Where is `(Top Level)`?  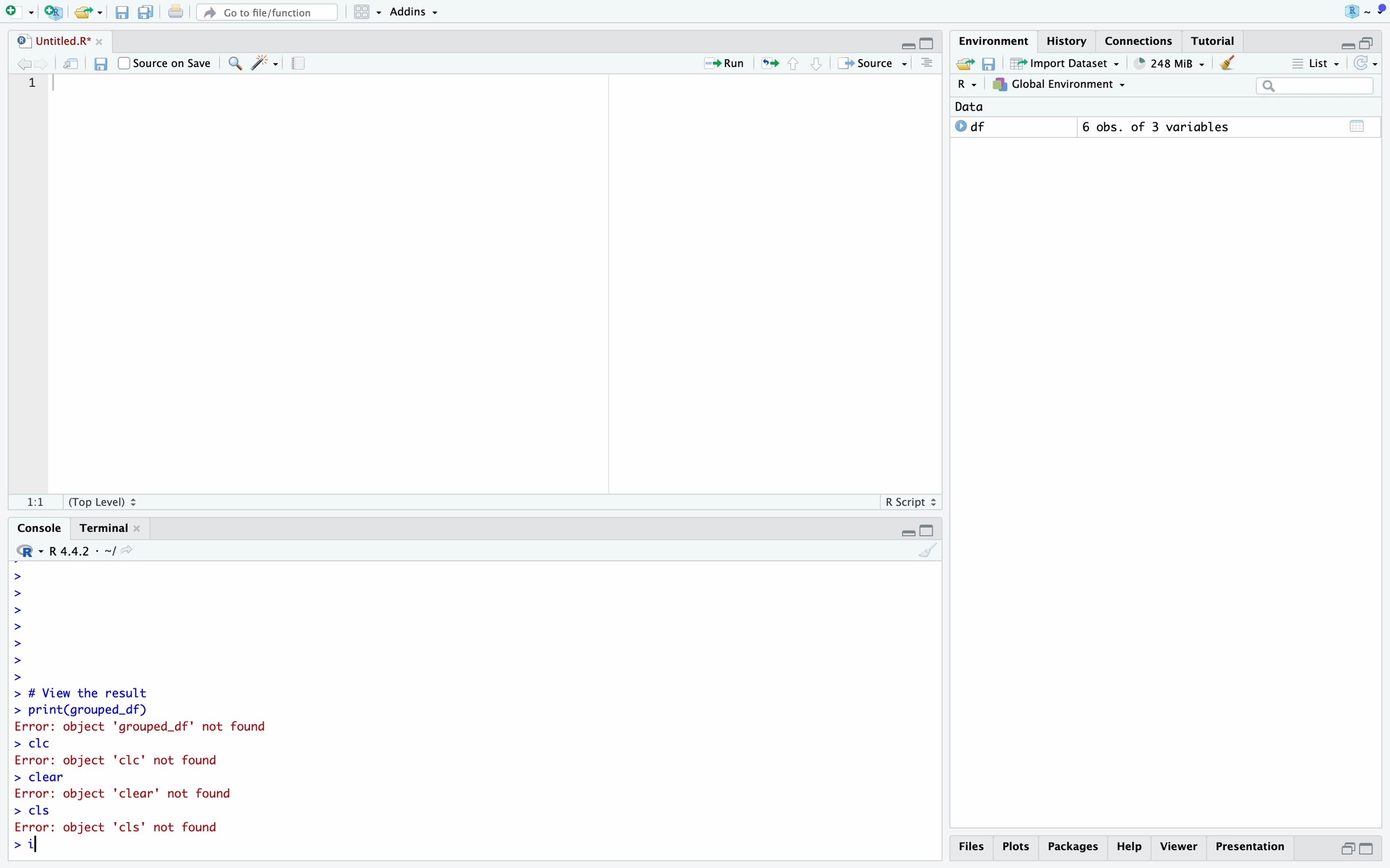 (Top Level) is located at coordinates (105, 501).